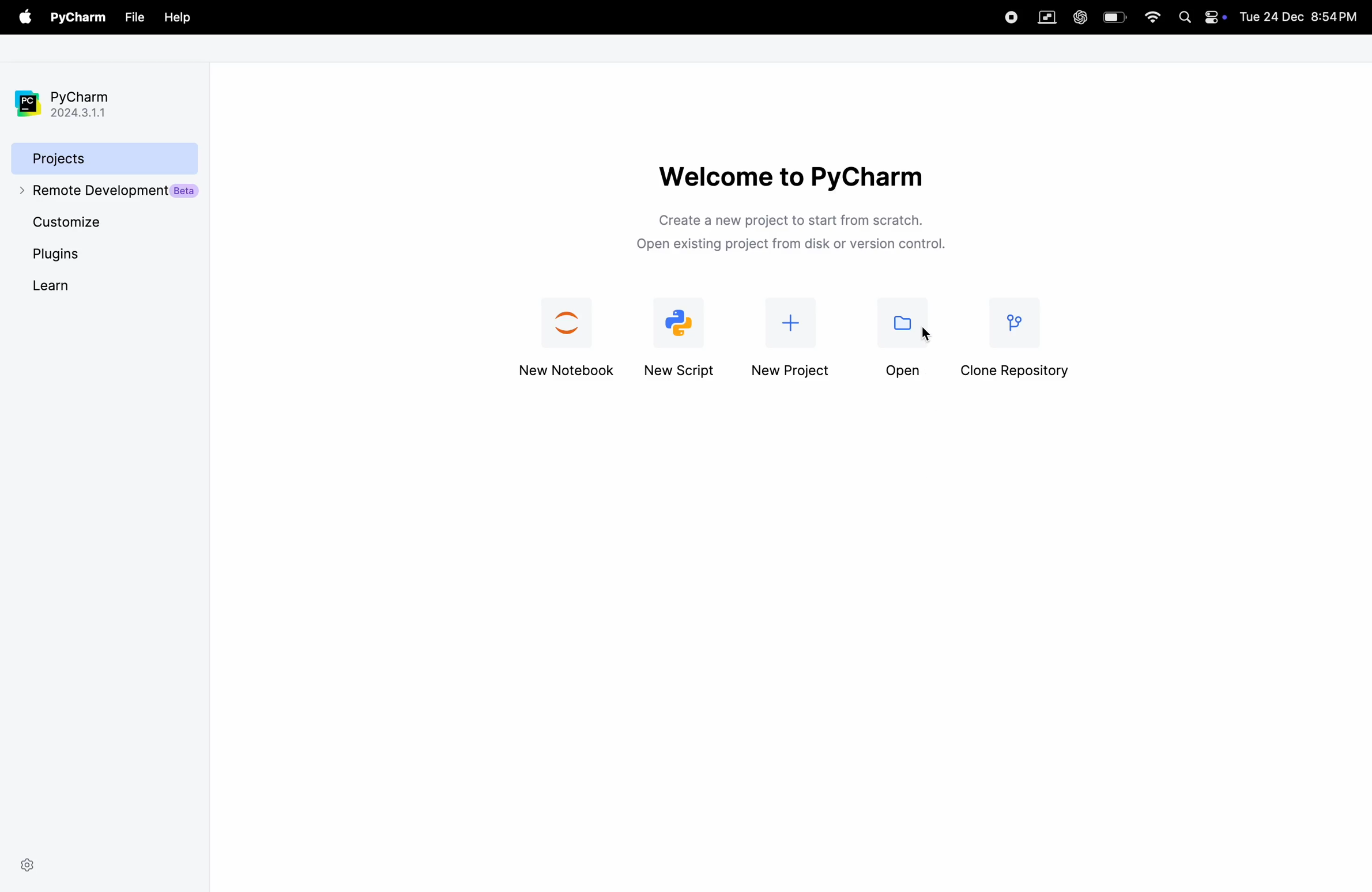  I want to click on new script, so click(685, 335).